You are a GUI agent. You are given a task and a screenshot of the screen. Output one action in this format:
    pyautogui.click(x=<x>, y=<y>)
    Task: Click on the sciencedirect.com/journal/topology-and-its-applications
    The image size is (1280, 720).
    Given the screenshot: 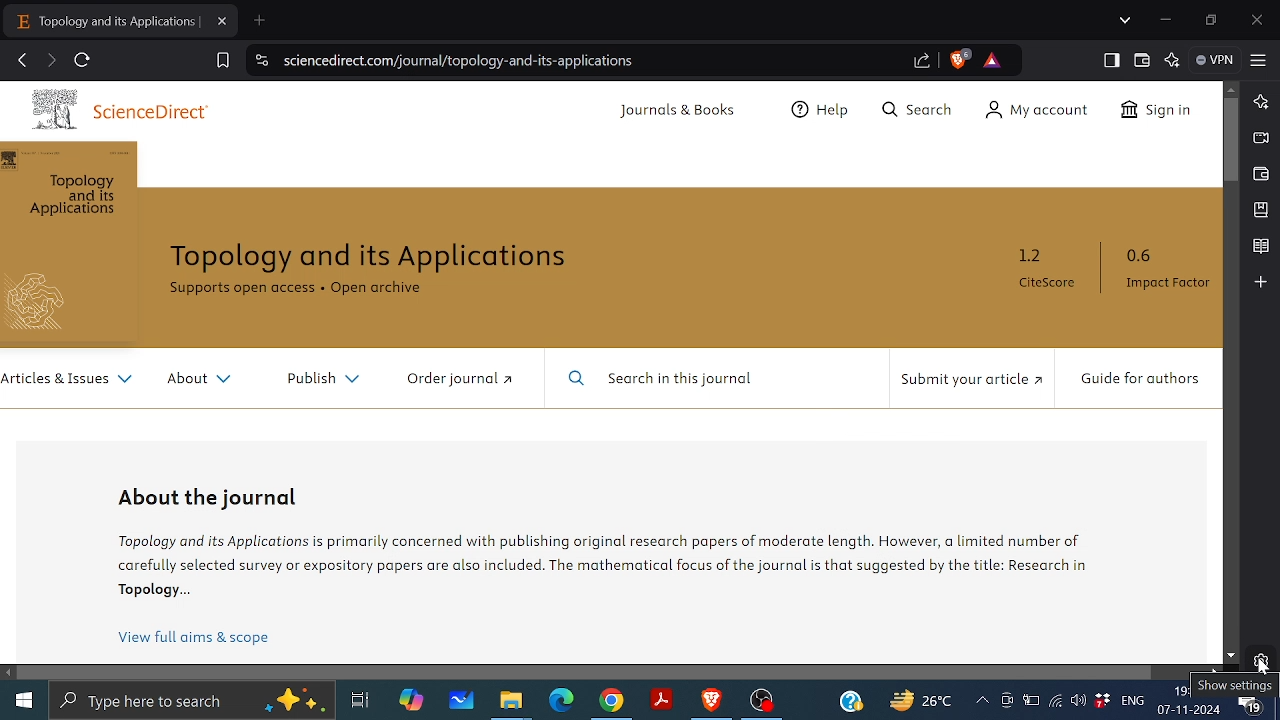 What is the action you would take?
    pyautogui.click(x=589, y=61)
    